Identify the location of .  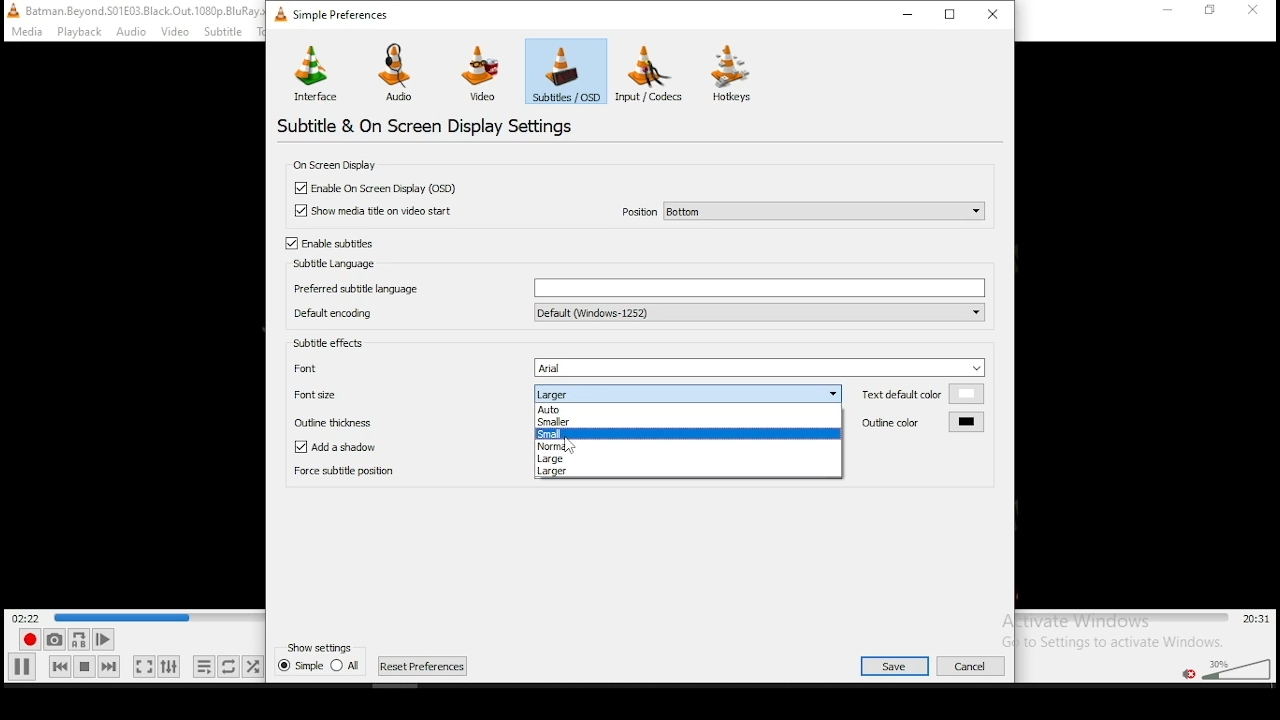
(1214, 14).